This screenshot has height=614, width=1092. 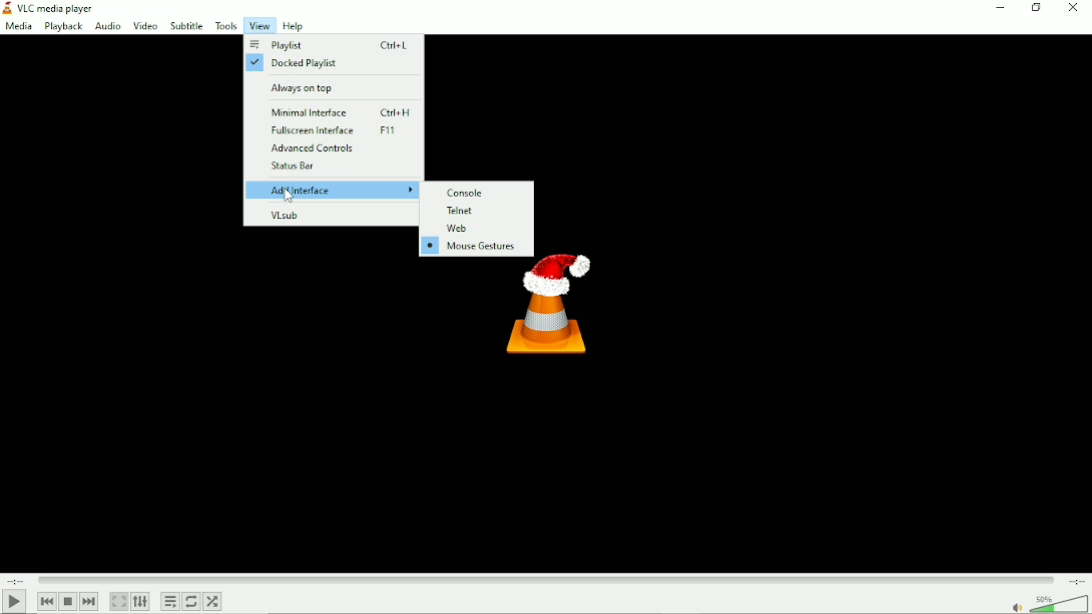 What do you see at coordinates (1047, 603) in the screenshot?
I see `Volume` at bounding box center [1047, 603].